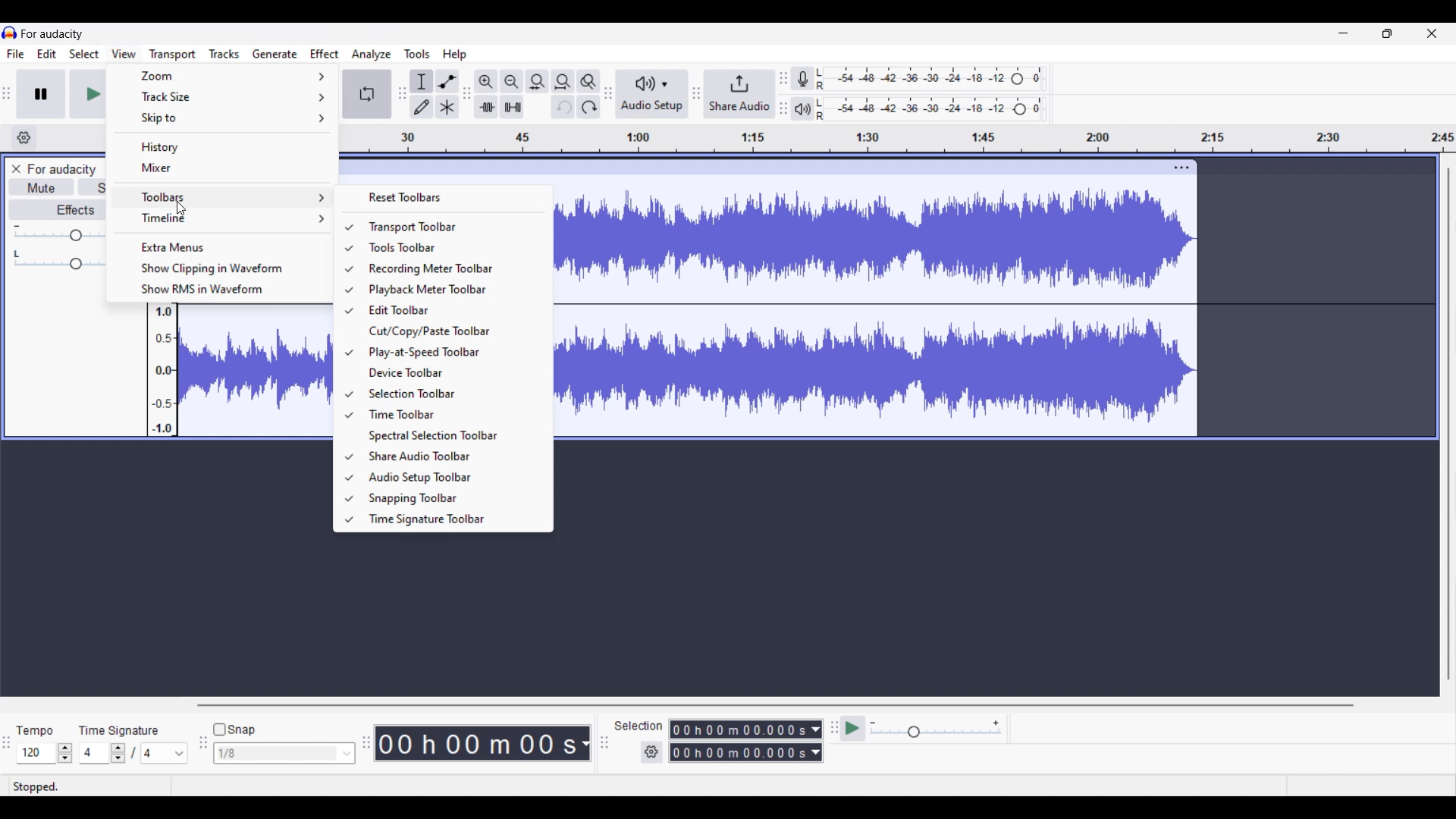  What do you see at coordinates (483, 742) in the screenshot?
I see `timestamp` at bounding box center [483, 742].